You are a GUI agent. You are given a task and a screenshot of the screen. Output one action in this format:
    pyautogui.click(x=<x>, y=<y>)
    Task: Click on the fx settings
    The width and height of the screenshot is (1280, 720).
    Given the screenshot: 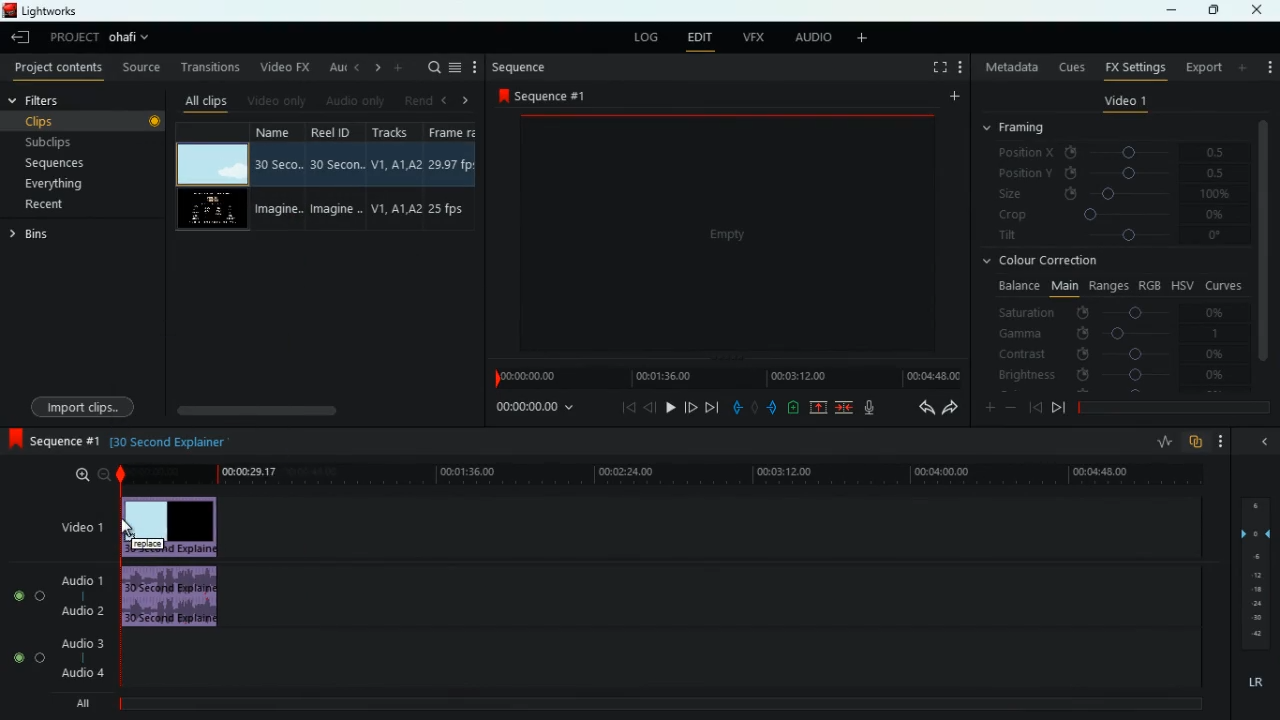 What is the action you would take?
    pyautogui.click(x=1133, y=67)
    